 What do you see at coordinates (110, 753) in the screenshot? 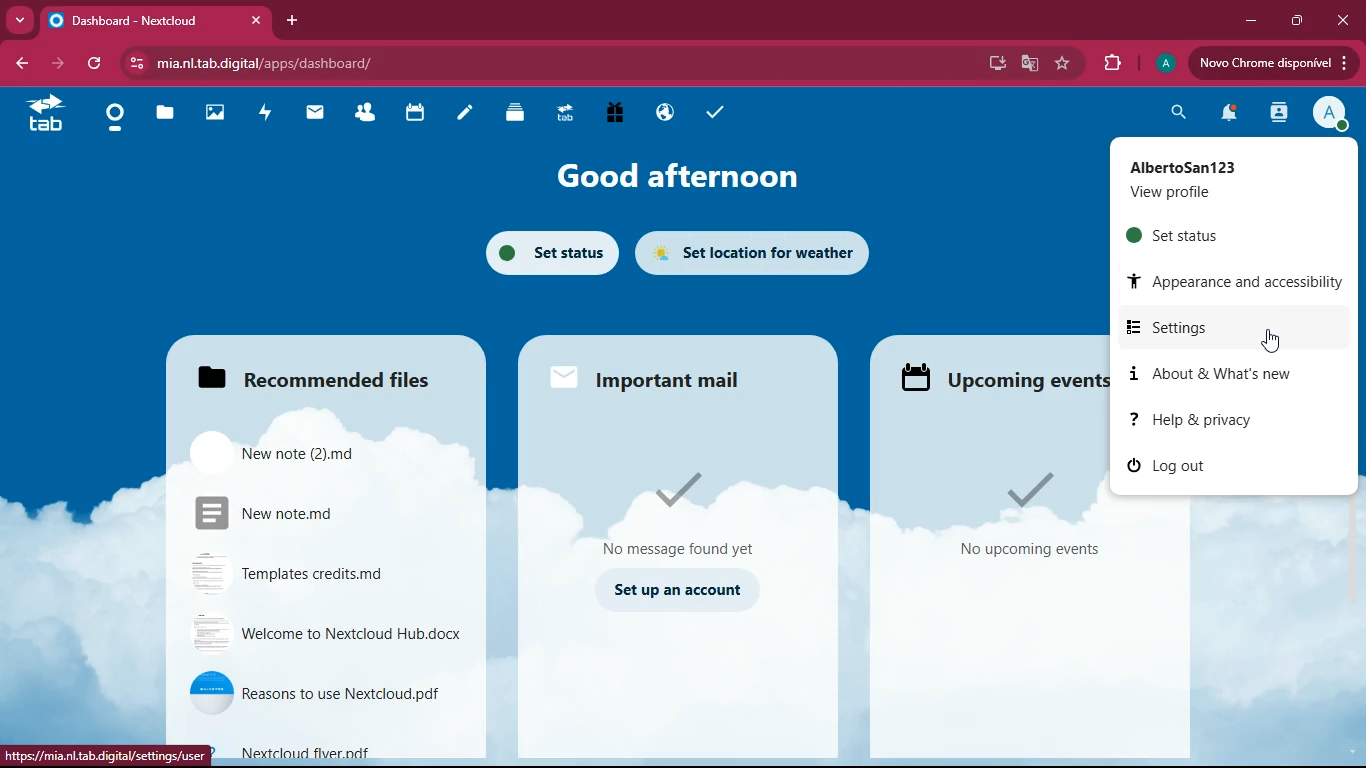
I see `url` at bounding box center [110, 753].